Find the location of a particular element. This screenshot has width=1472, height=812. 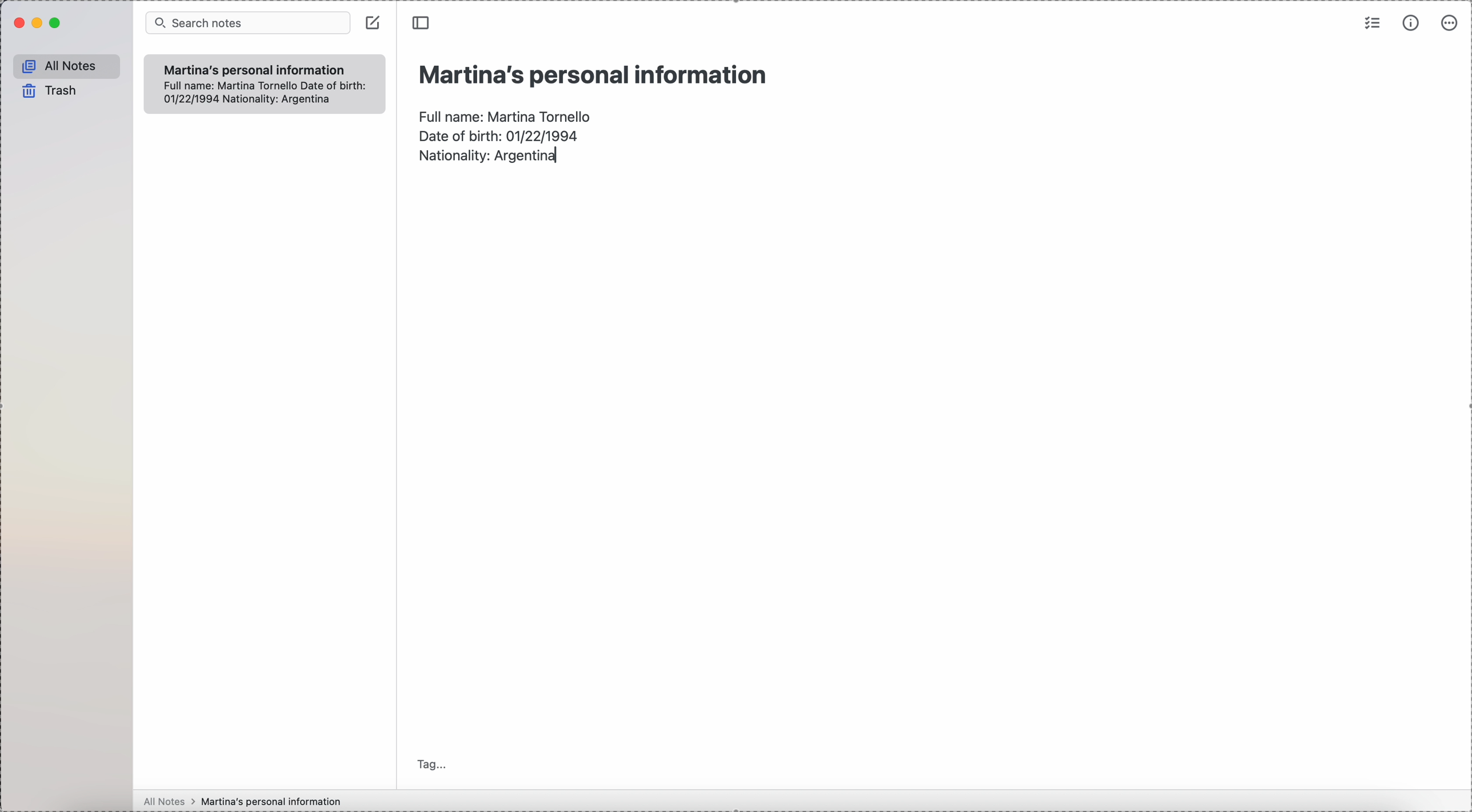

metrics is located at coordinates (1413, 23).